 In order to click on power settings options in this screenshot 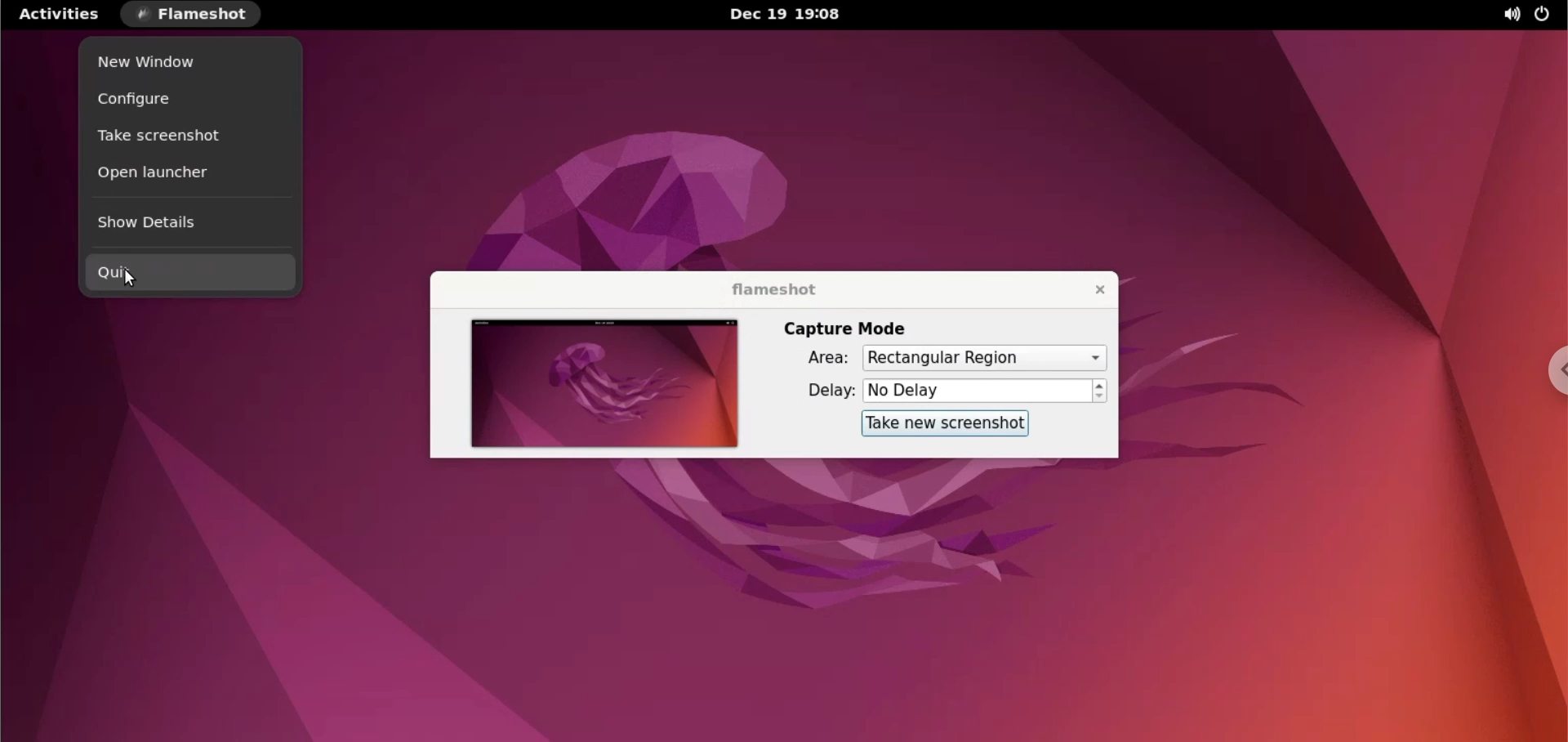, I will do `click(1549, 16)`.